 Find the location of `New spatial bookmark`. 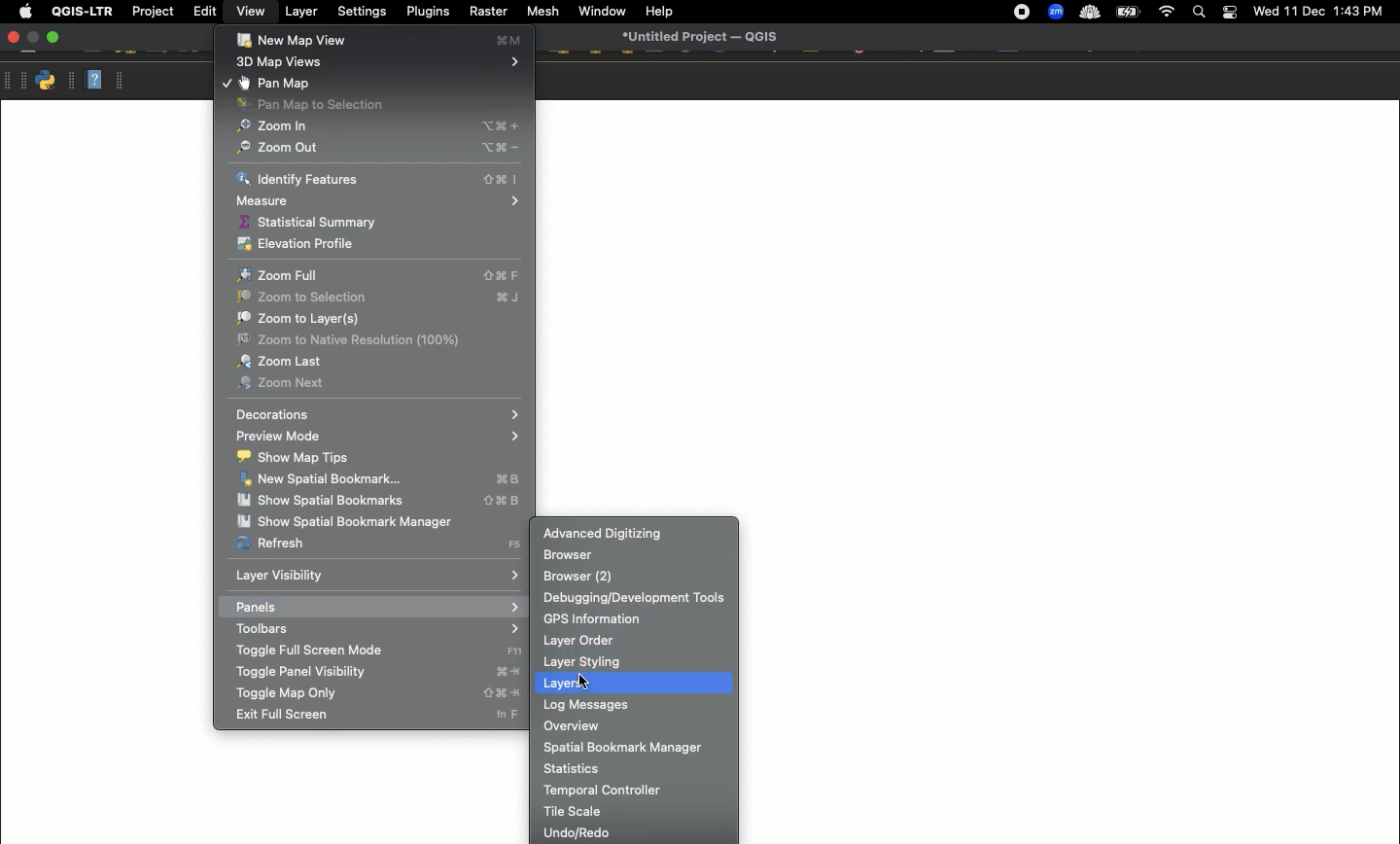

New spatial bookmark is located at coordinates (380, 481).